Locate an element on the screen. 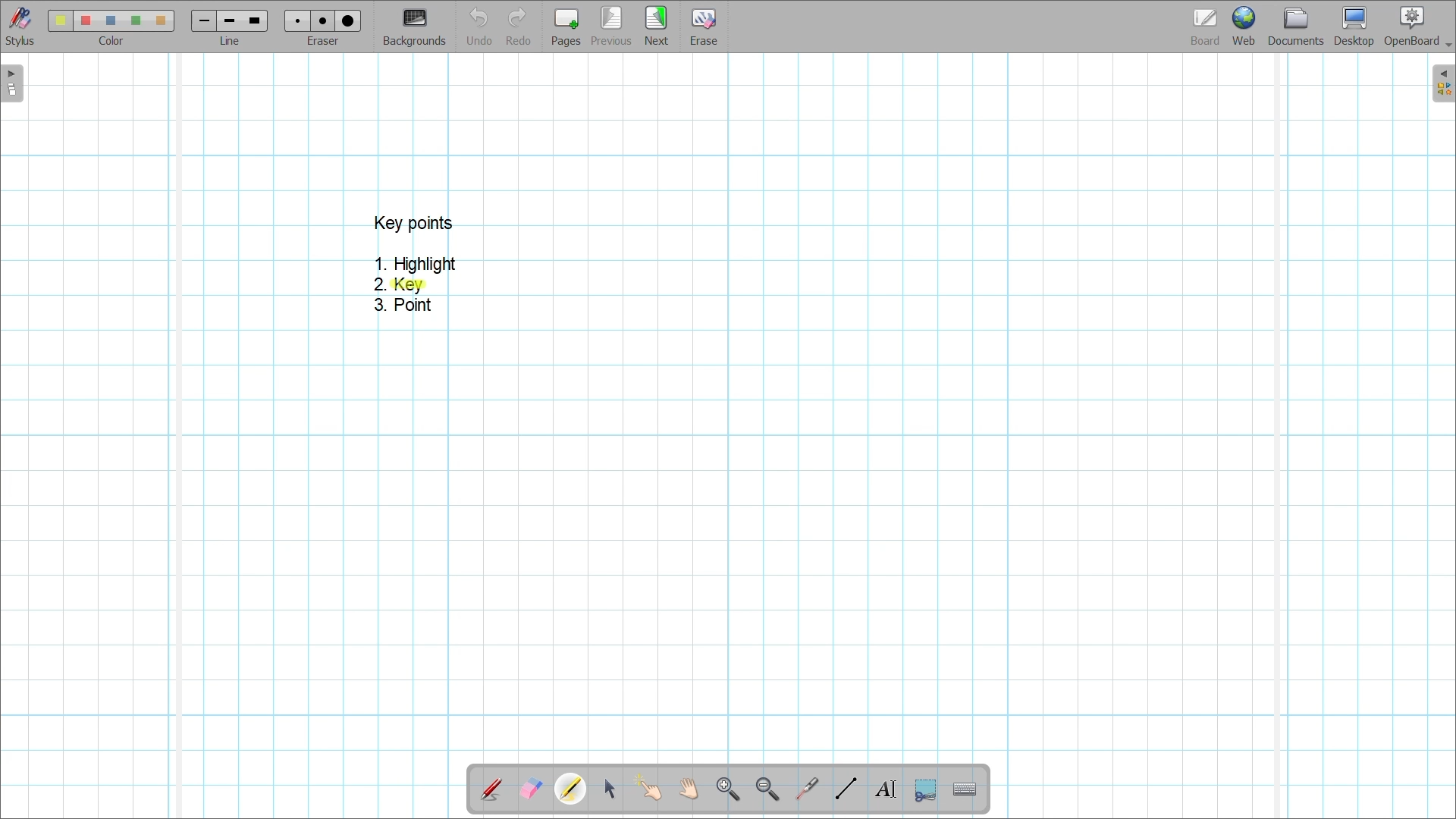 This screenshot has width=1456, height=819. Right sidebar is located at coordinates (1443, 83).